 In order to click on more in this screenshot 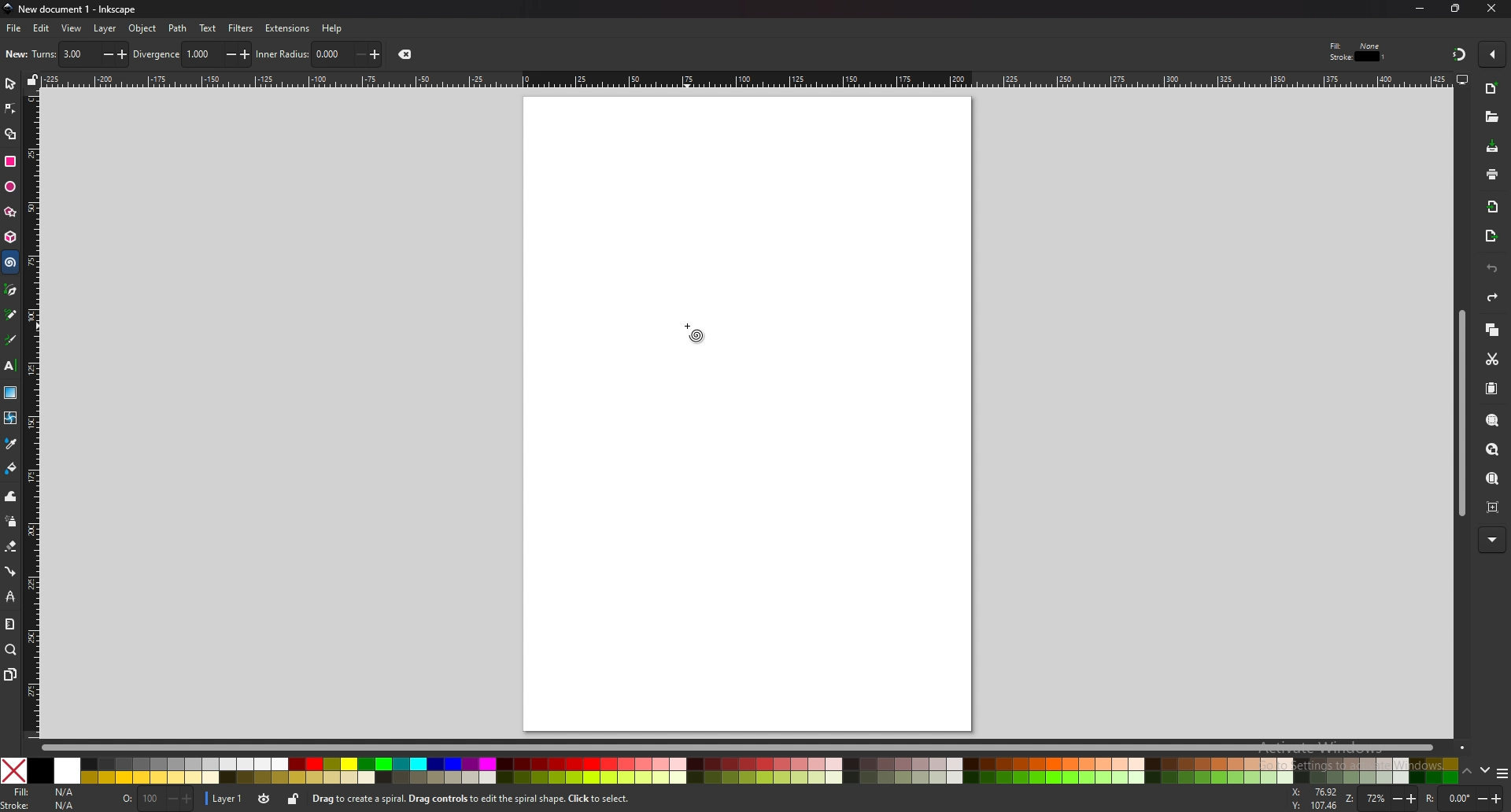, I will do `click(1492, 538)`.